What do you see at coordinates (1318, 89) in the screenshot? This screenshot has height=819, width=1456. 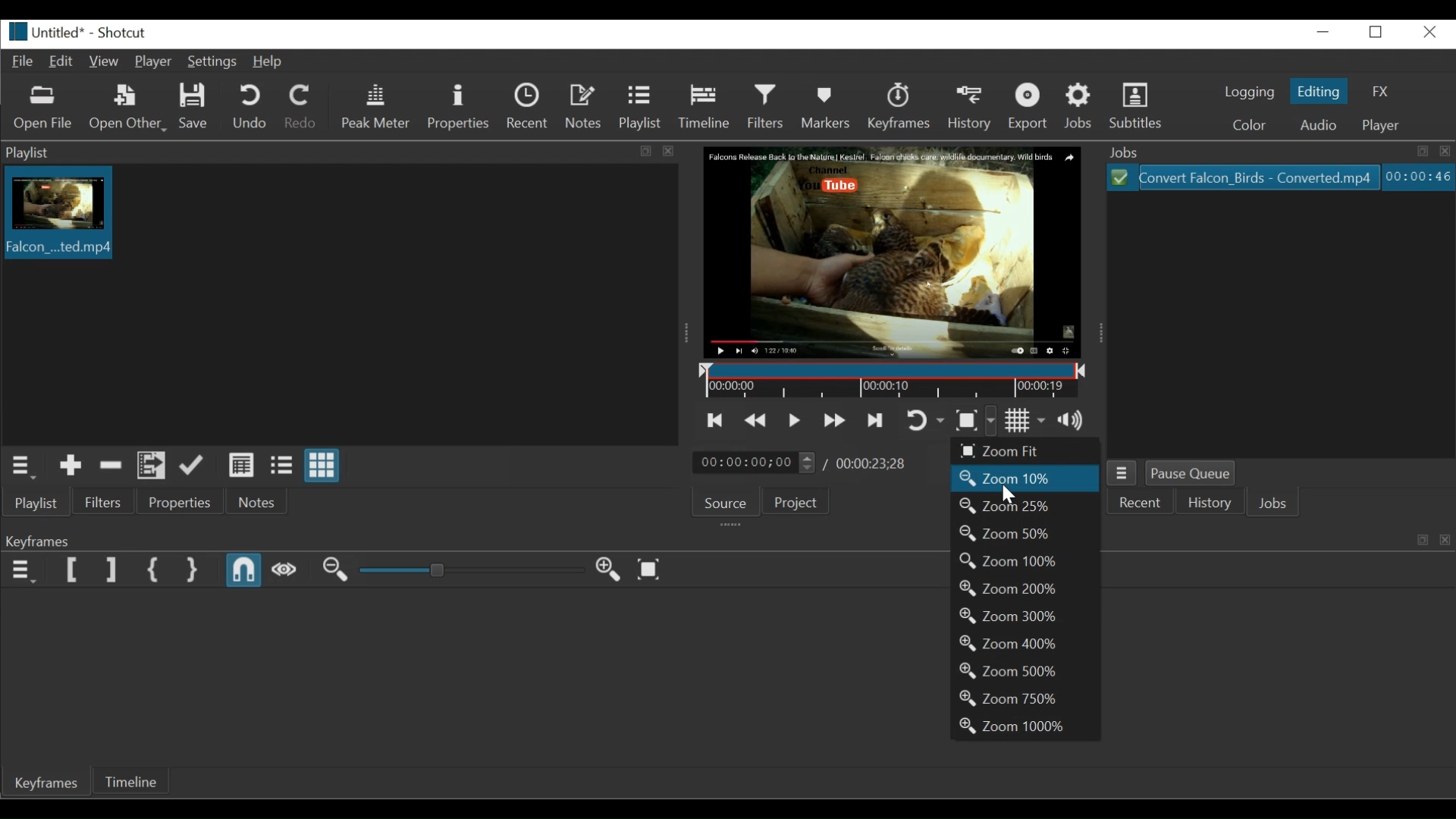 I see `Editing` at bounding box center [1318, 89].